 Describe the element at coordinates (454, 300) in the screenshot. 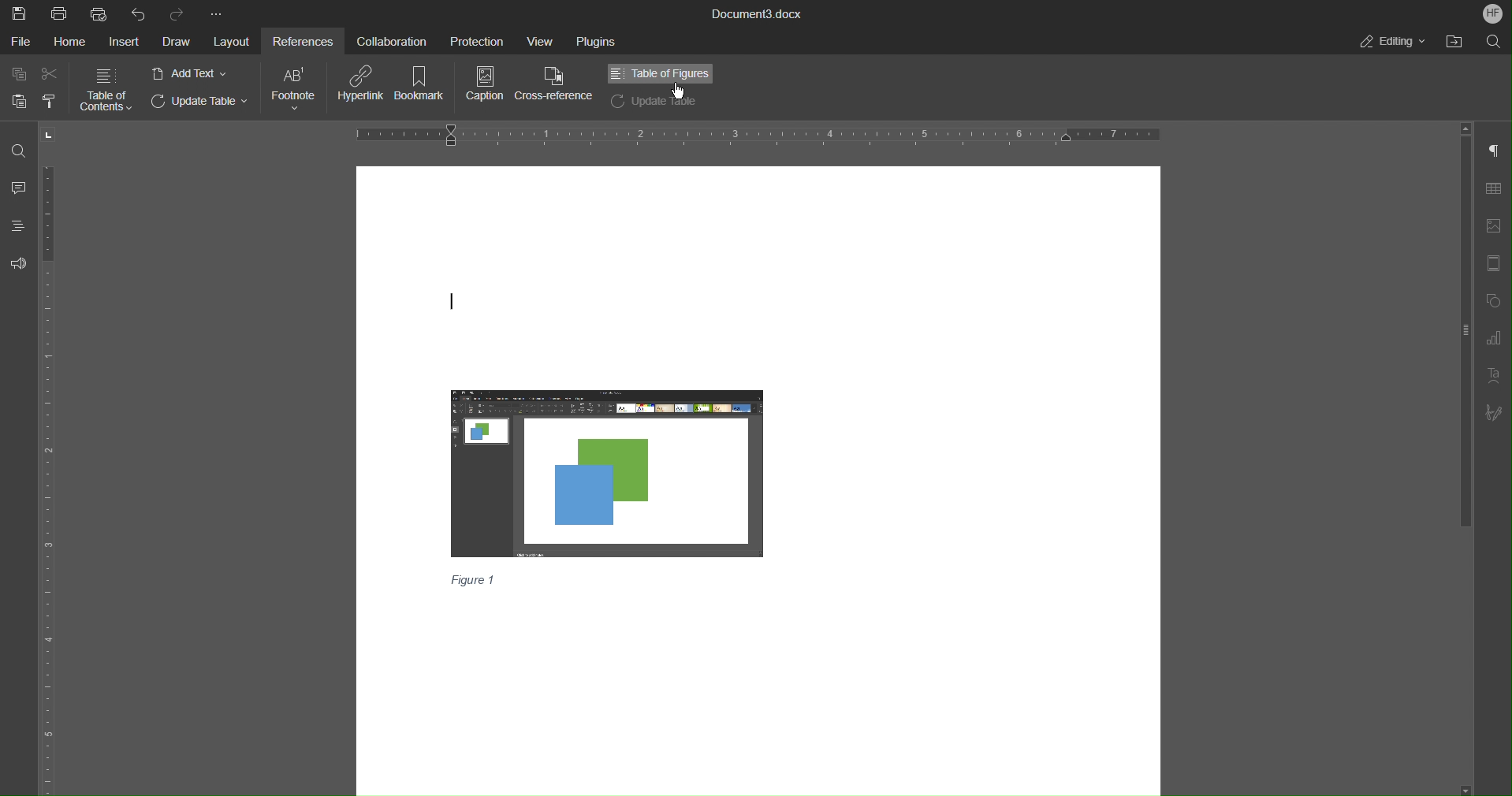

I see `text cursor` at that location.